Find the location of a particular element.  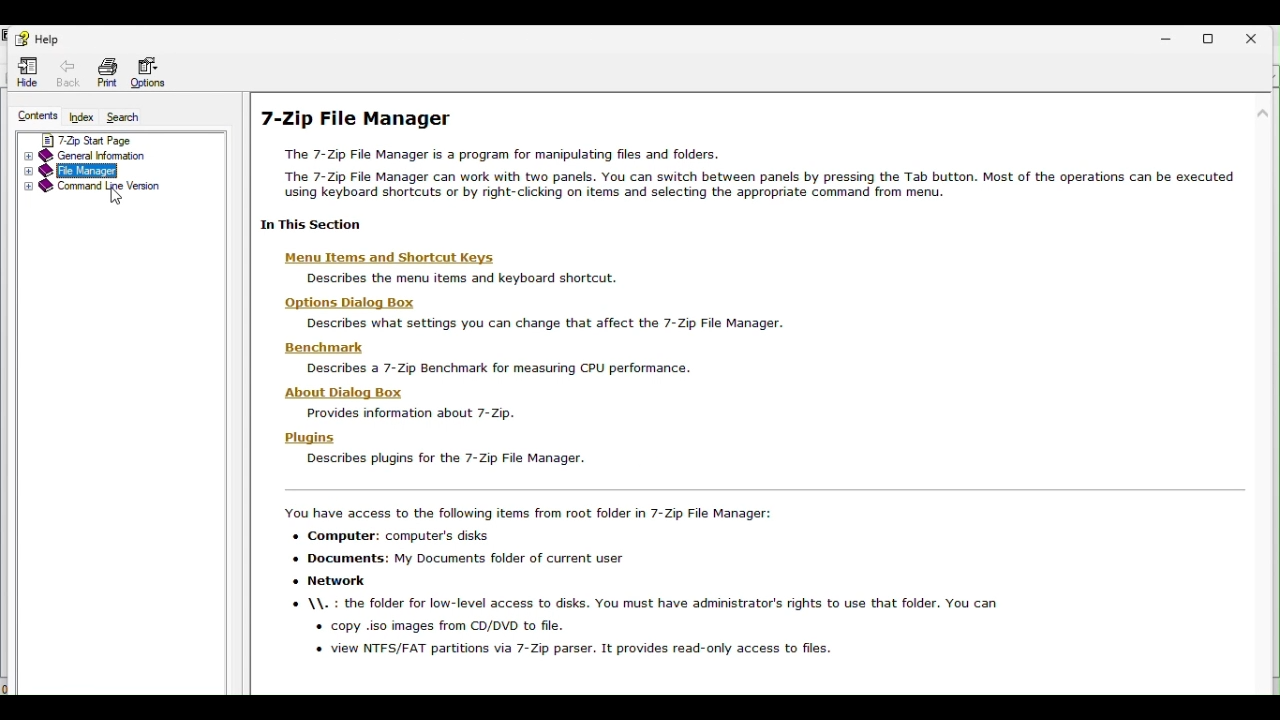

| Describes a 7-Zip Benchmark for measuring CPU performance is located at coordinates (497, 369).